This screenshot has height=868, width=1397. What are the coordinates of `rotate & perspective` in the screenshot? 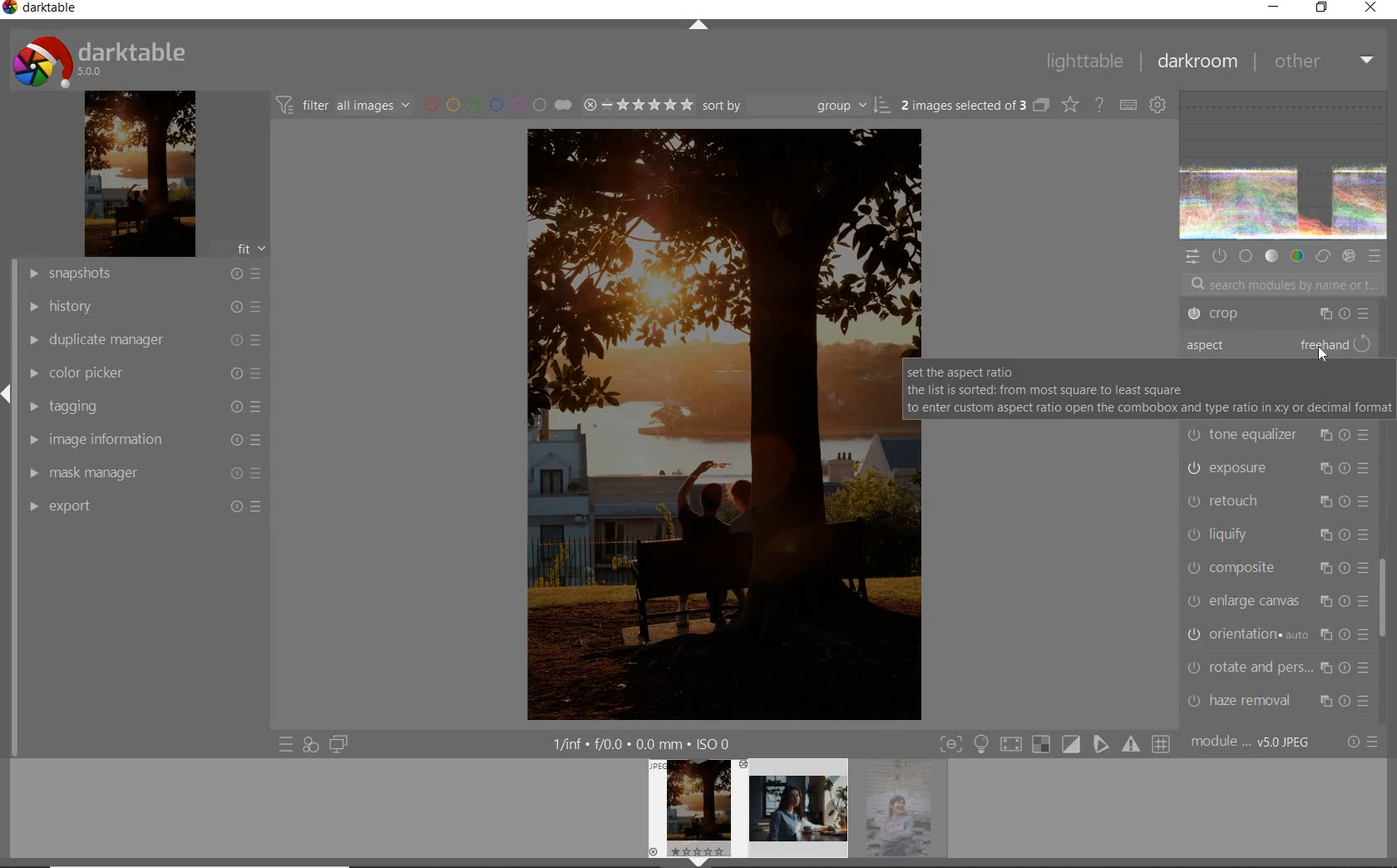 It's located at (1276, 671).